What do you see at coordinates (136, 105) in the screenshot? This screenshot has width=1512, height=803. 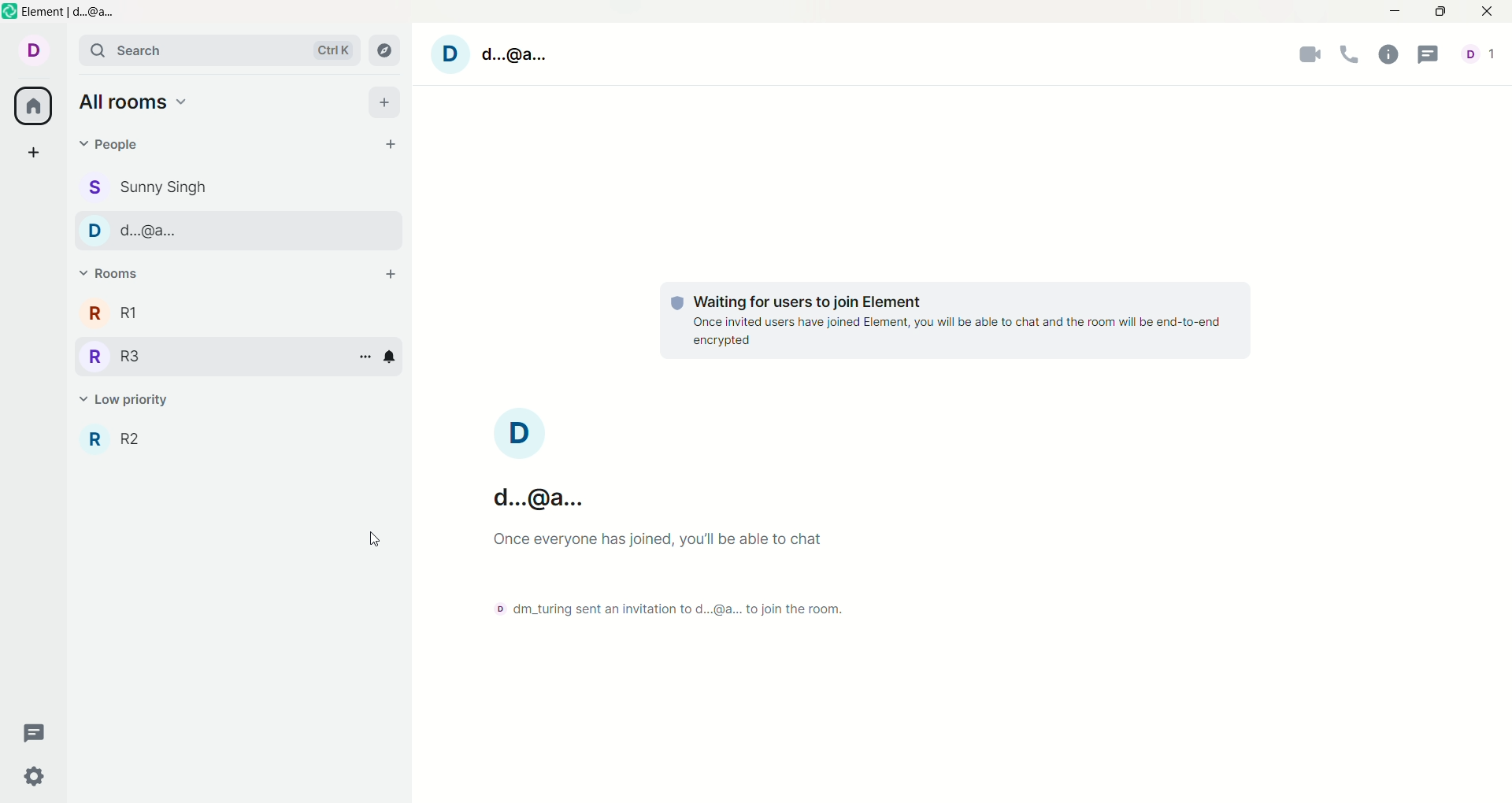 I see `all rooms` at bounding box center [136, 105].